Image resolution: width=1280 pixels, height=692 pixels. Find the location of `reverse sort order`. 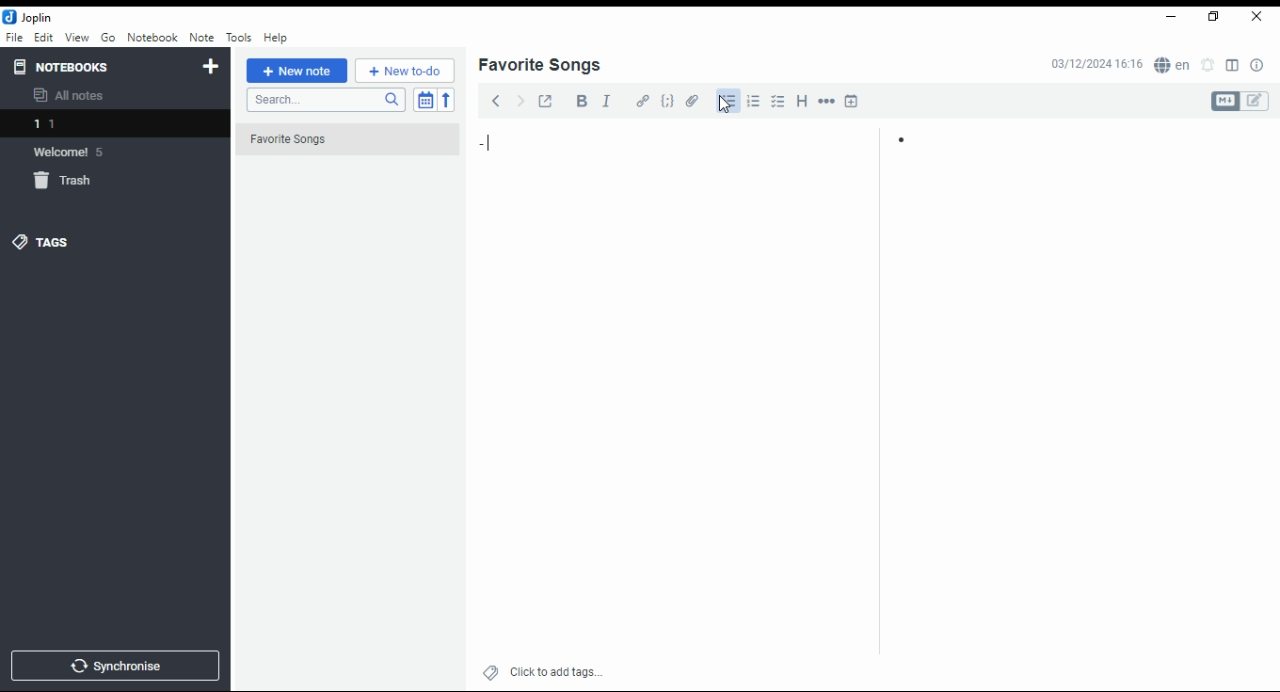

reverse sort order is located at coordinates (446, 100).